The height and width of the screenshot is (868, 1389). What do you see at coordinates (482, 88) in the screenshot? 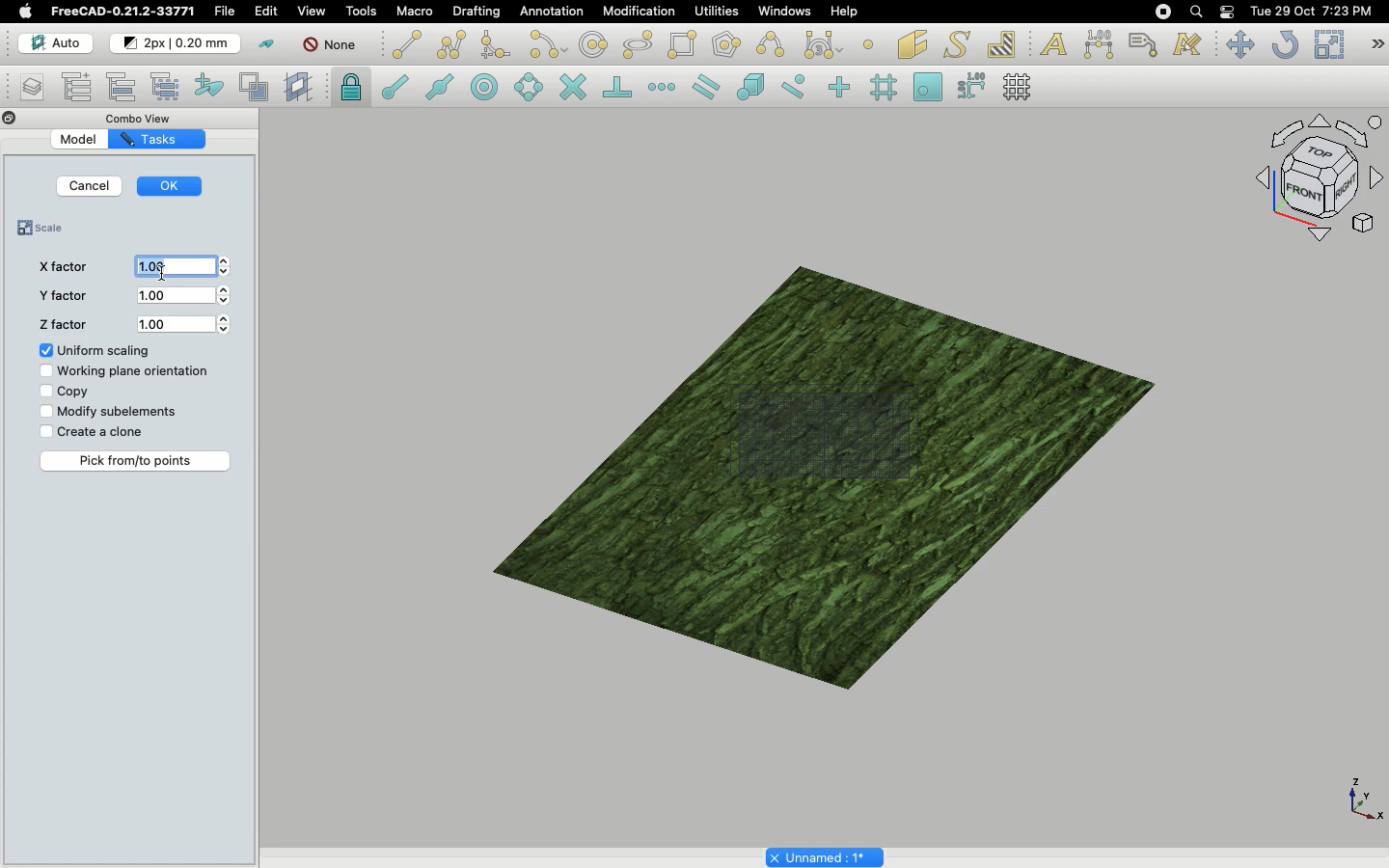
I see `Snap center` at bounding box center [482, 88].